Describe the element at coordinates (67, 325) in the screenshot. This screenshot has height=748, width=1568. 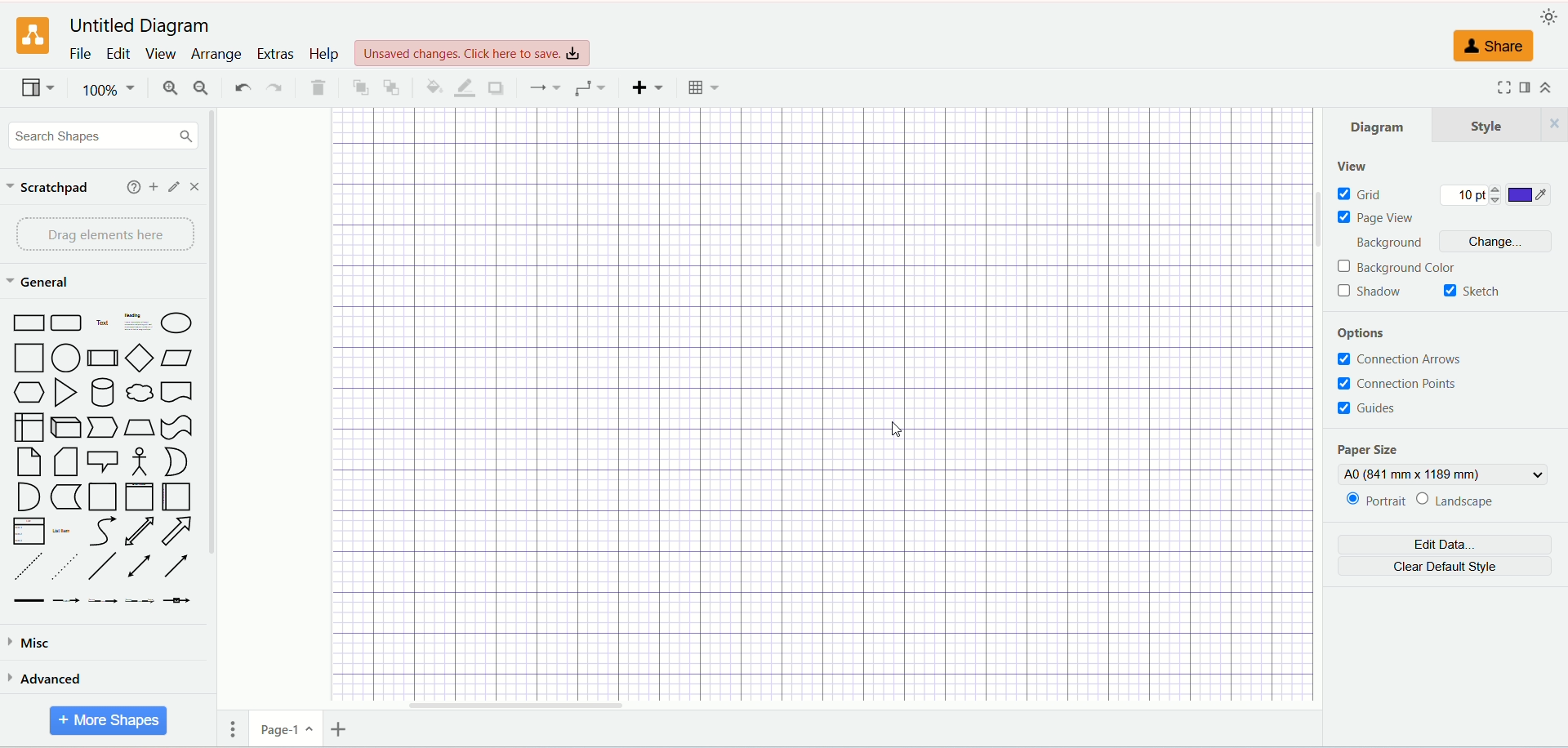
I see `Curved Corner Rectangle` at that location.